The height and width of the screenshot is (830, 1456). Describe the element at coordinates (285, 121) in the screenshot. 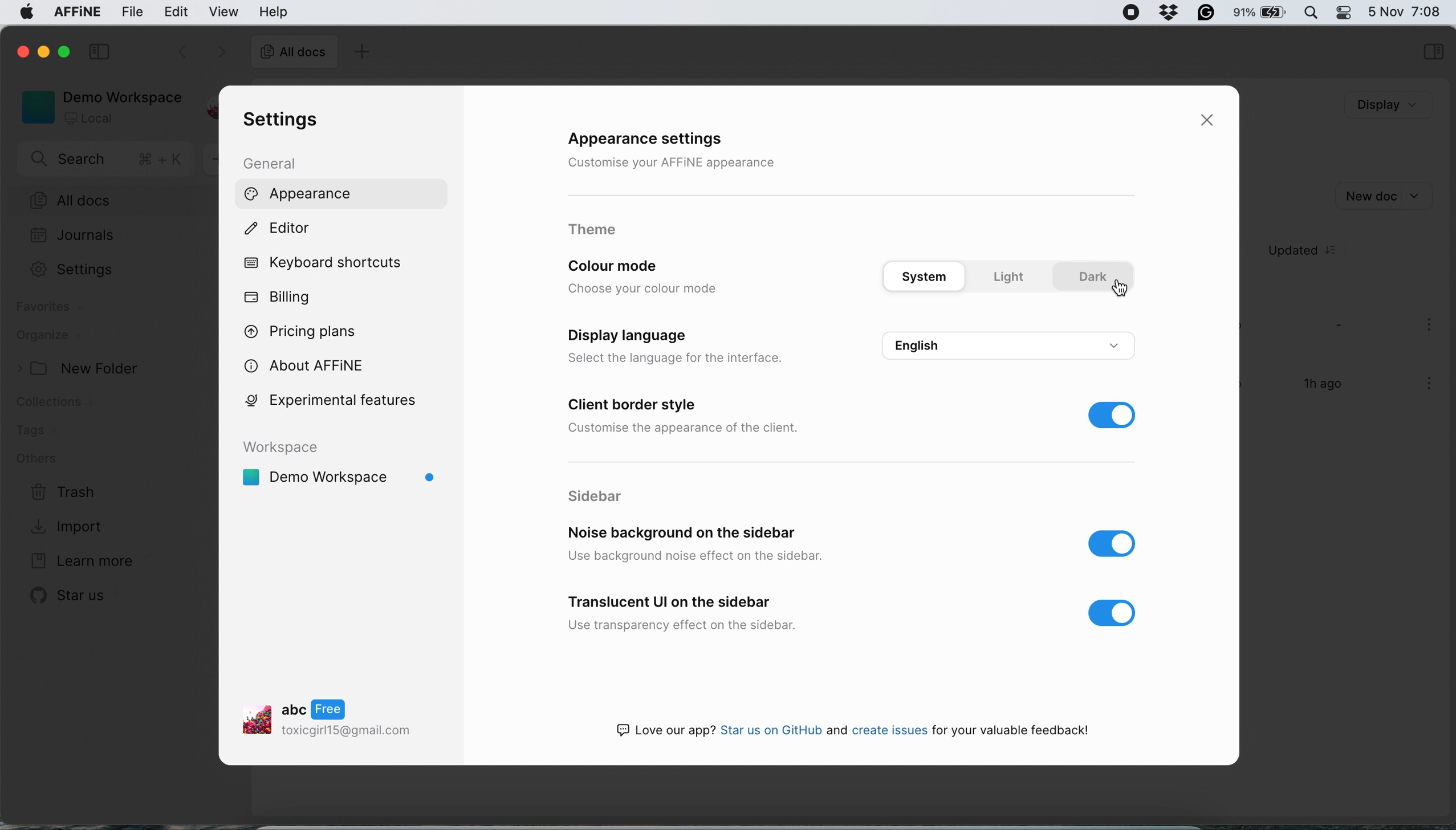

I see `settings` at that location.